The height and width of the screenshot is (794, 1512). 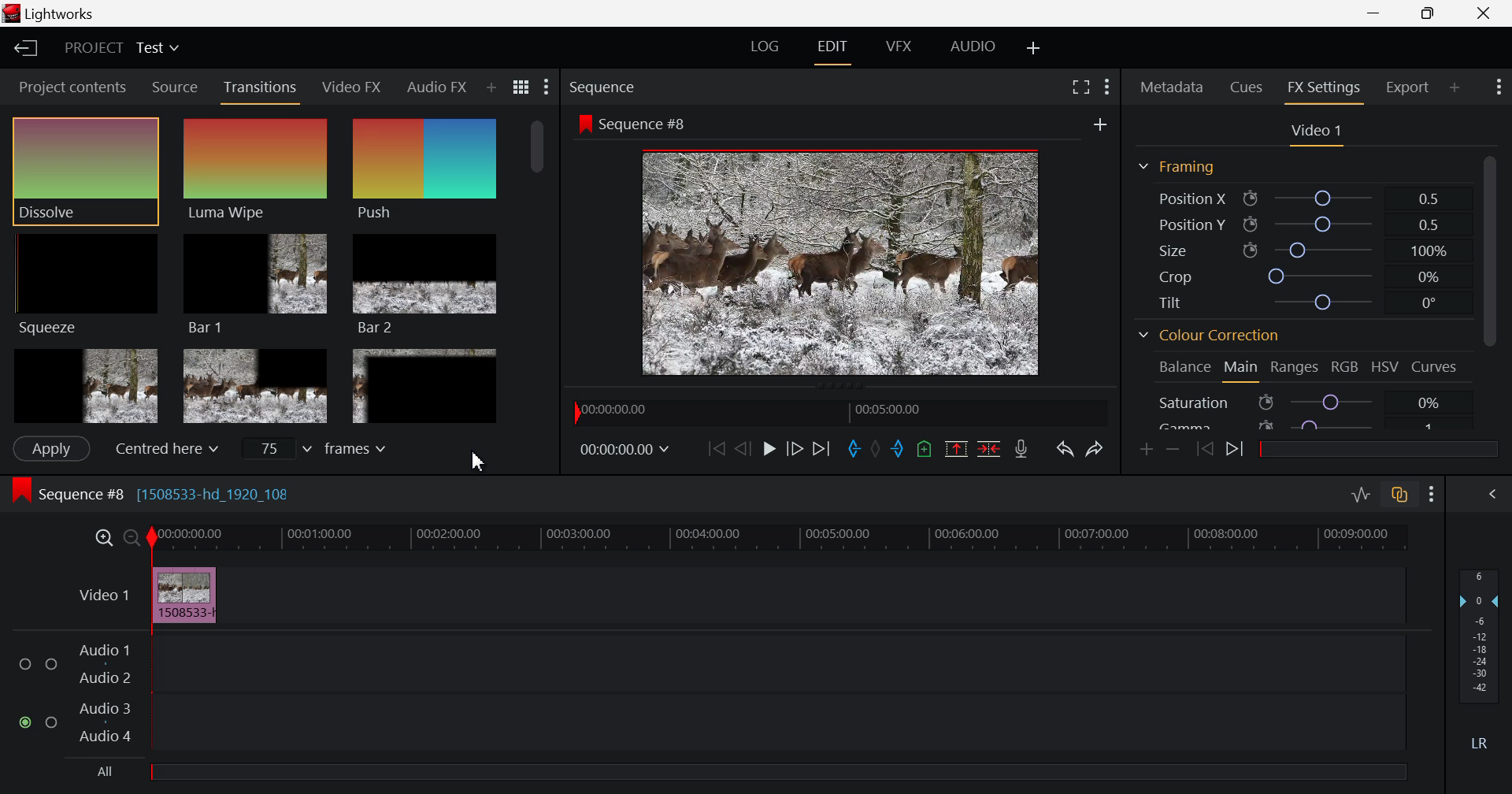 I want to click on Show Settings, so click(x=1432, y=497).